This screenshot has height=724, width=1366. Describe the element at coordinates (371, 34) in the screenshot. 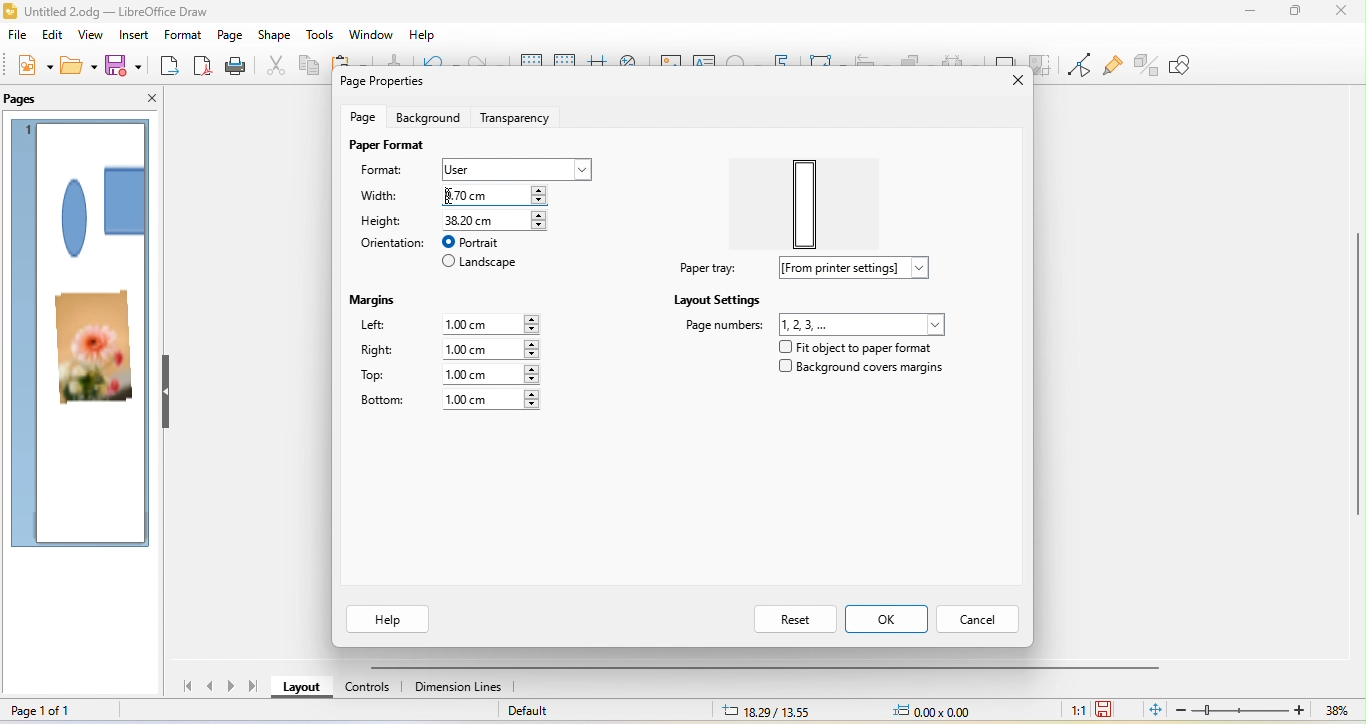

I see `window` at that location.